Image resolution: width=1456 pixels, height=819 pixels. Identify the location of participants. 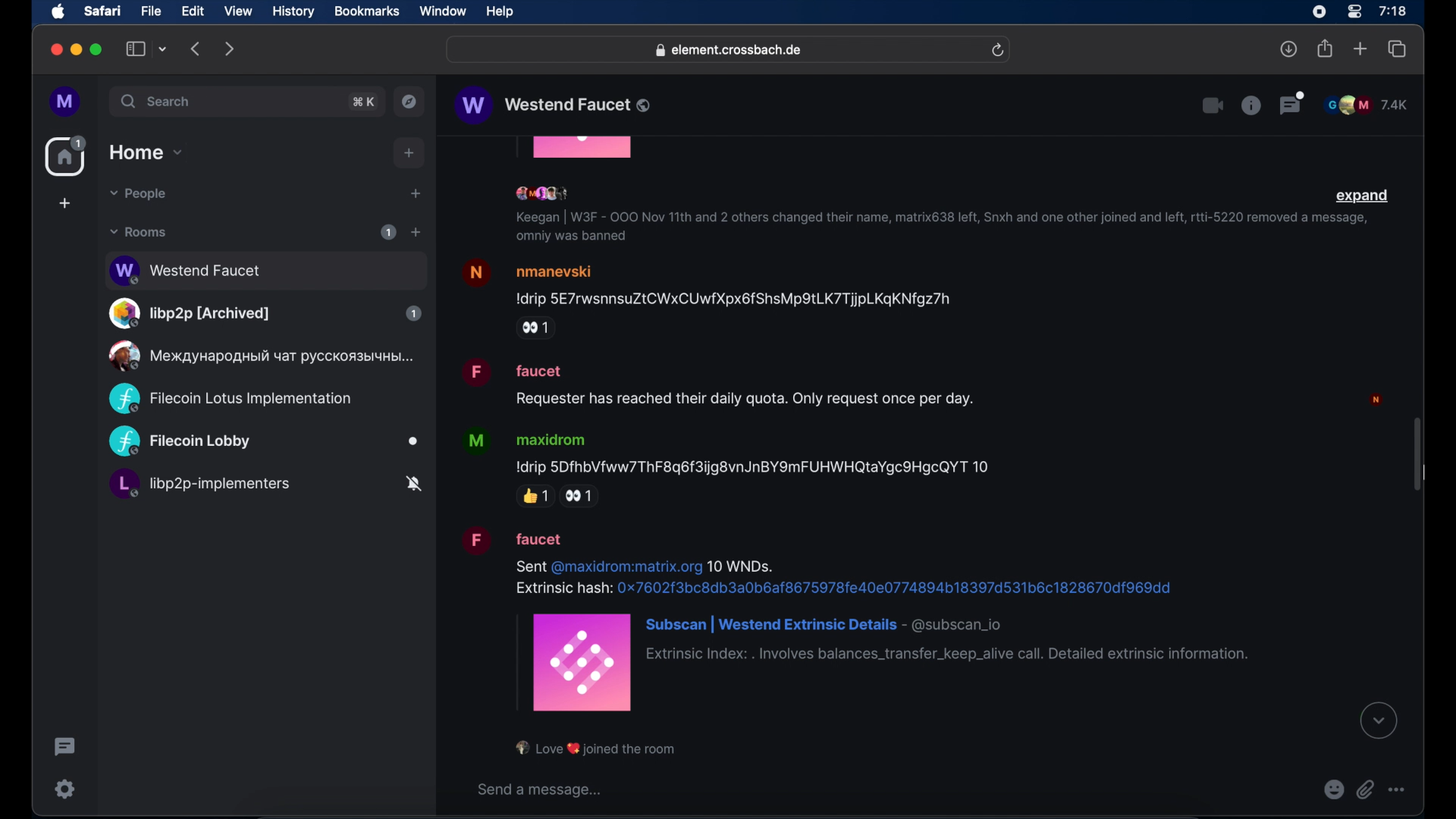
(545, 194).